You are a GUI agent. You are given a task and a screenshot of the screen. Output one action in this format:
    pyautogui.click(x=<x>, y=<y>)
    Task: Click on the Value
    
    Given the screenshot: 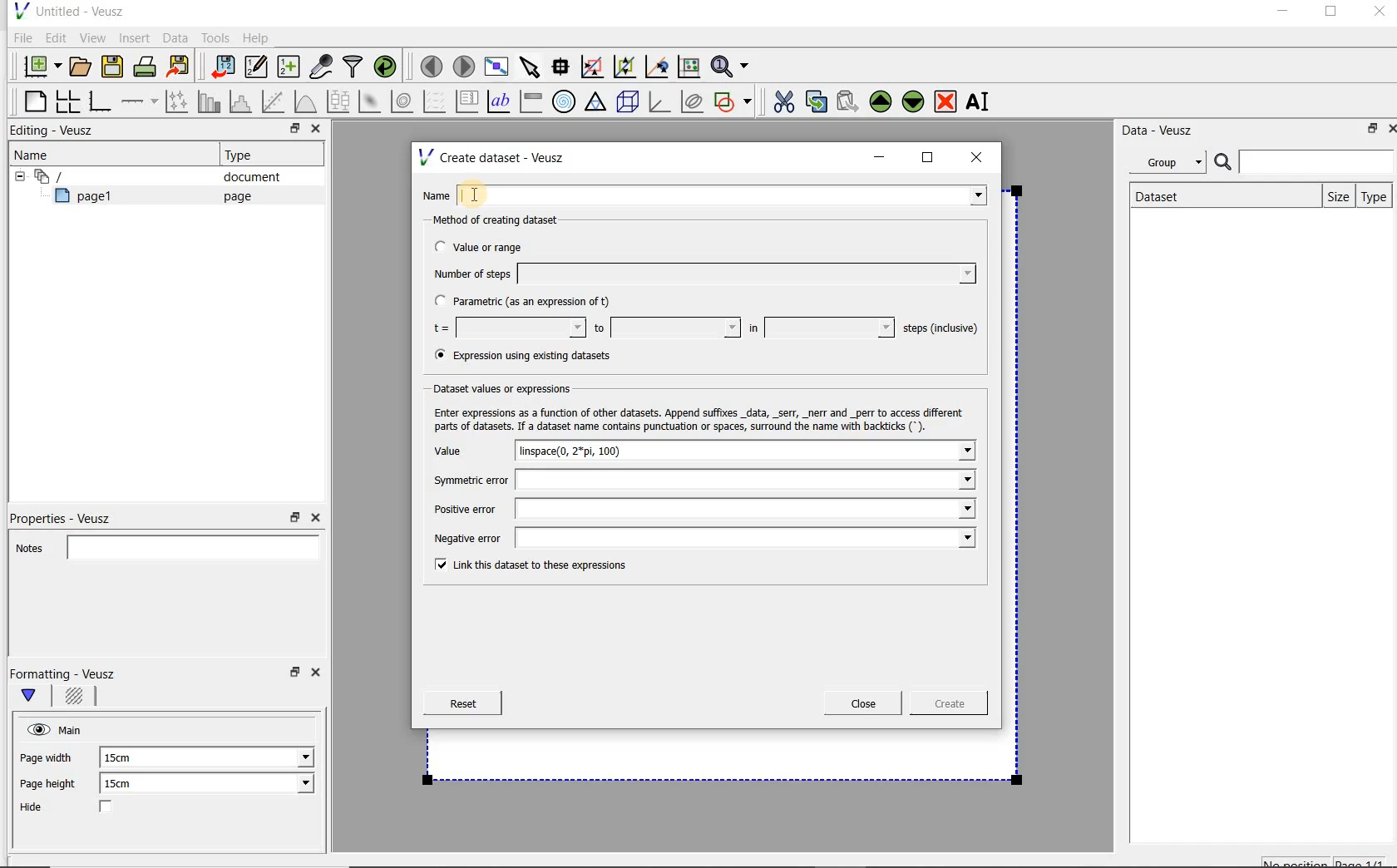 What is the action you would take?
    pyautogui.click(x=465, y=451)
    